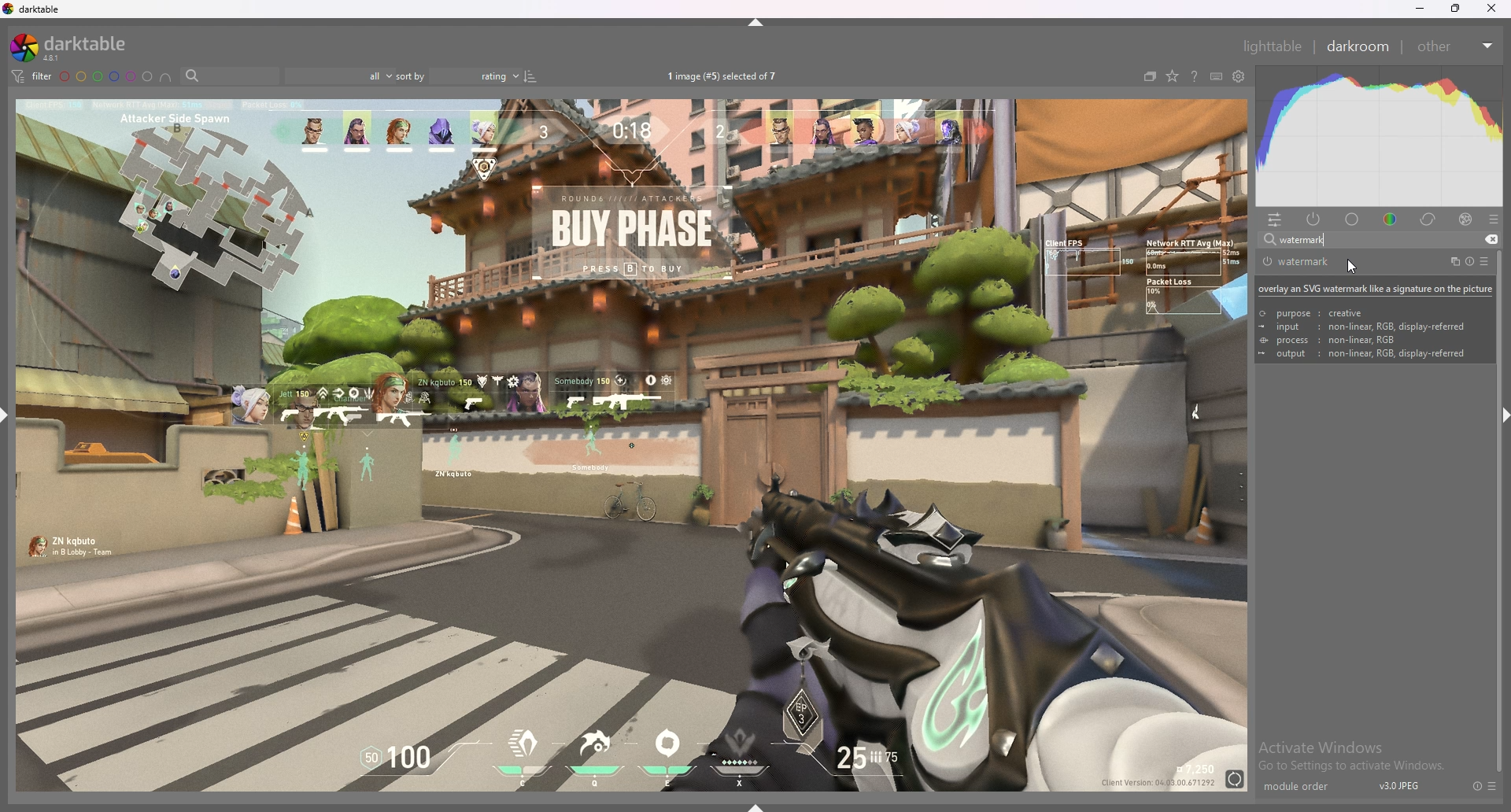 The width and height of the screenshot is (1511, 812). Describe the element at coordinates (1359, 241) in the screenshot. I see `search module` at that location.